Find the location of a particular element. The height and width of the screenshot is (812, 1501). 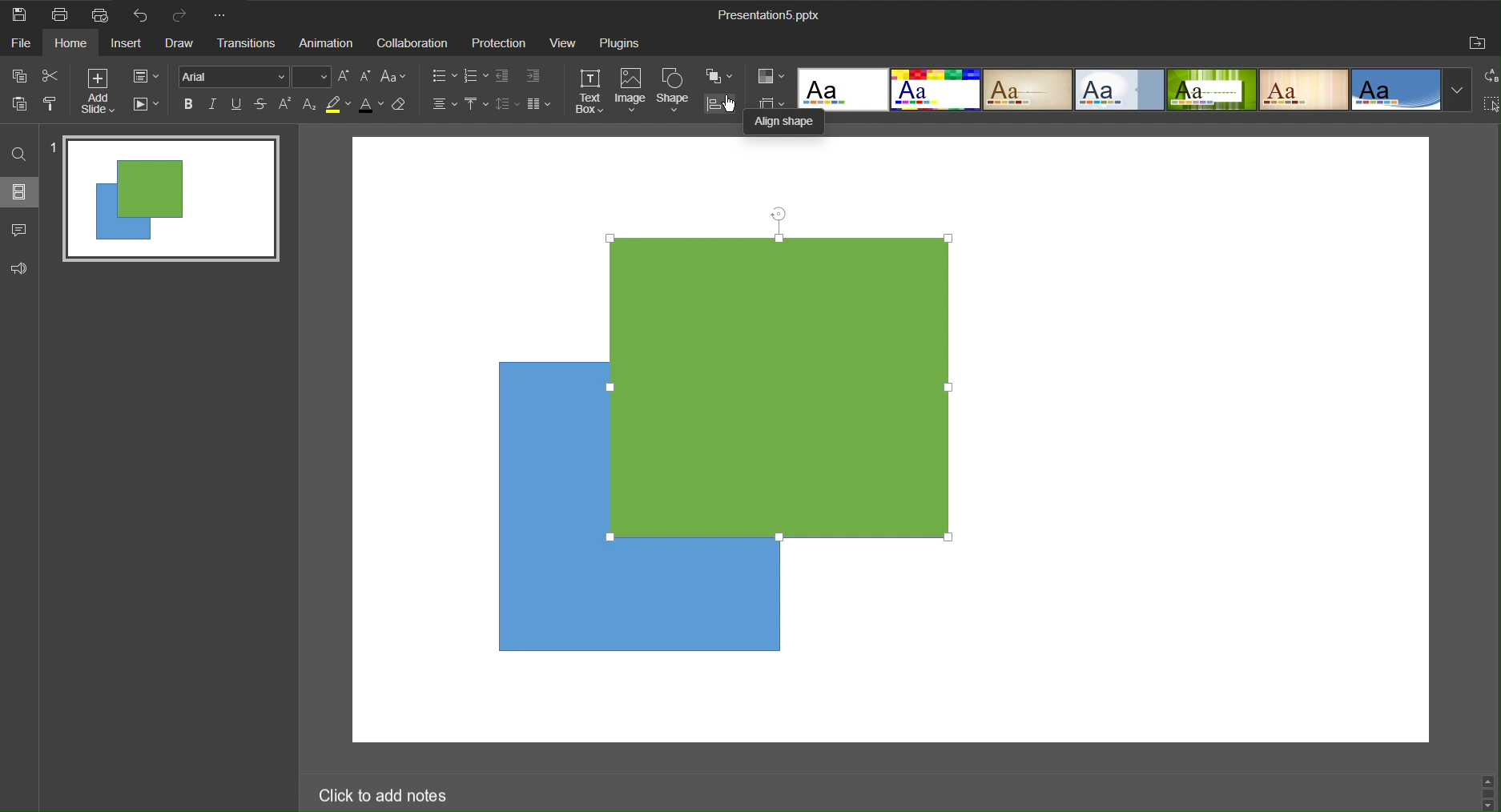

Animation is located at coordinates (328, 43).